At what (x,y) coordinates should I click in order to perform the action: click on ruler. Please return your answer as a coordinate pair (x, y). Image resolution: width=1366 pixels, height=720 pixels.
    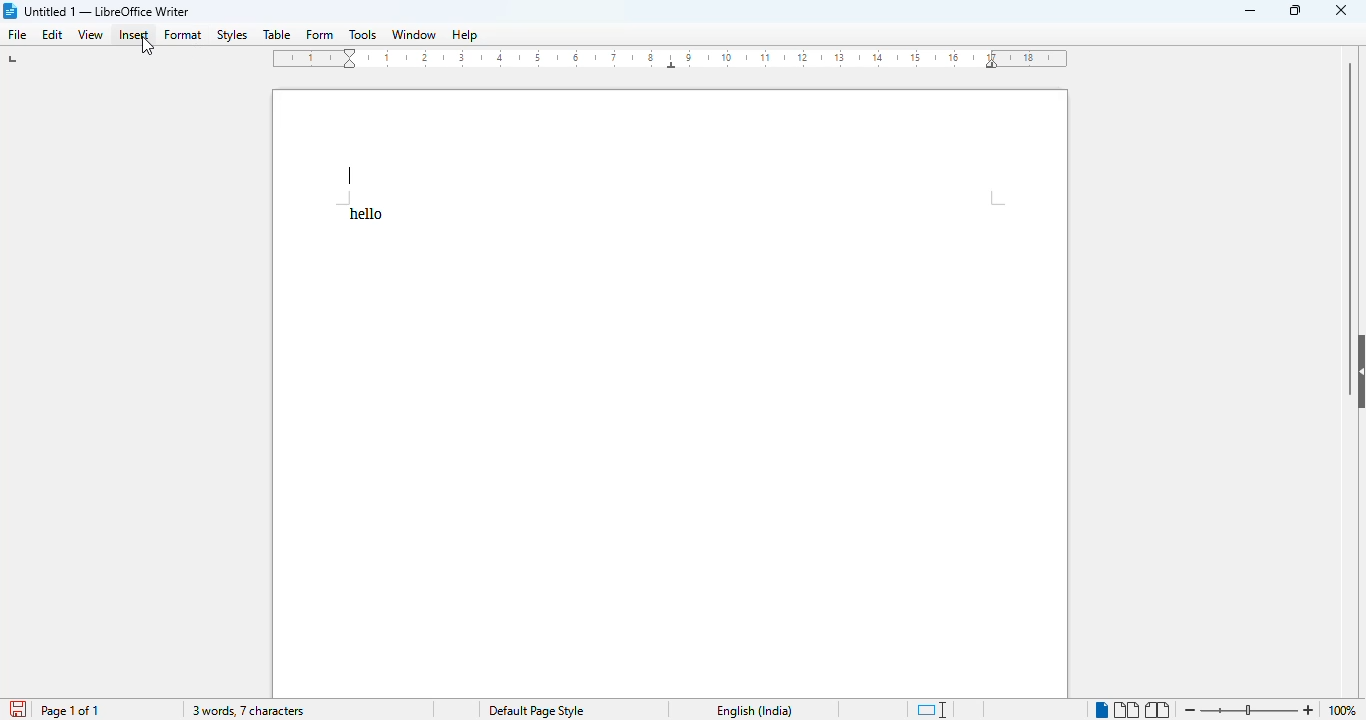
    Looking at the image, I should click on (671, 58).